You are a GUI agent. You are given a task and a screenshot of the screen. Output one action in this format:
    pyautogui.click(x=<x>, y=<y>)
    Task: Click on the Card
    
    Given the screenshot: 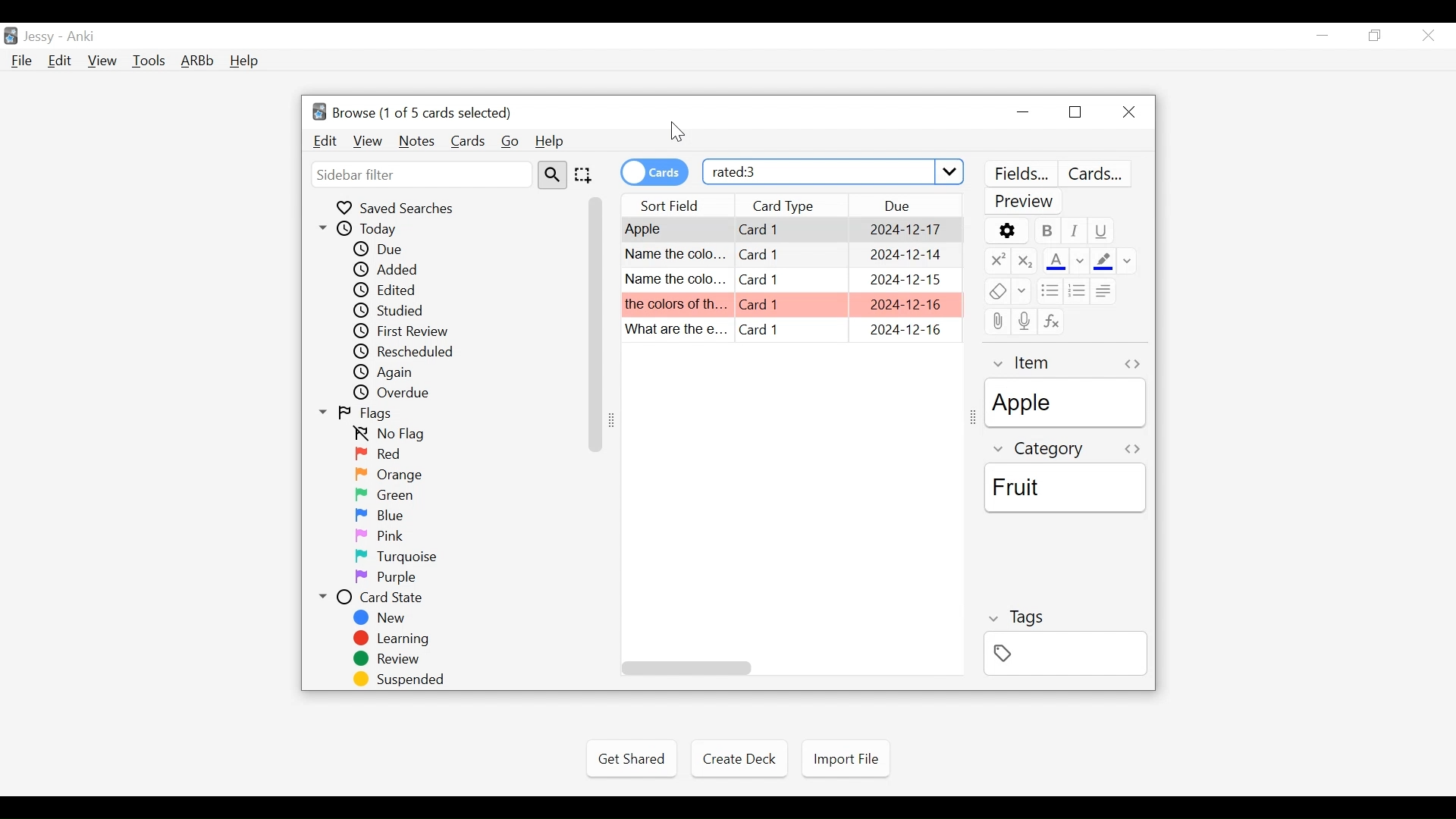 What is the action you would take?
    pyautogui.click(x=676, y=329)
    